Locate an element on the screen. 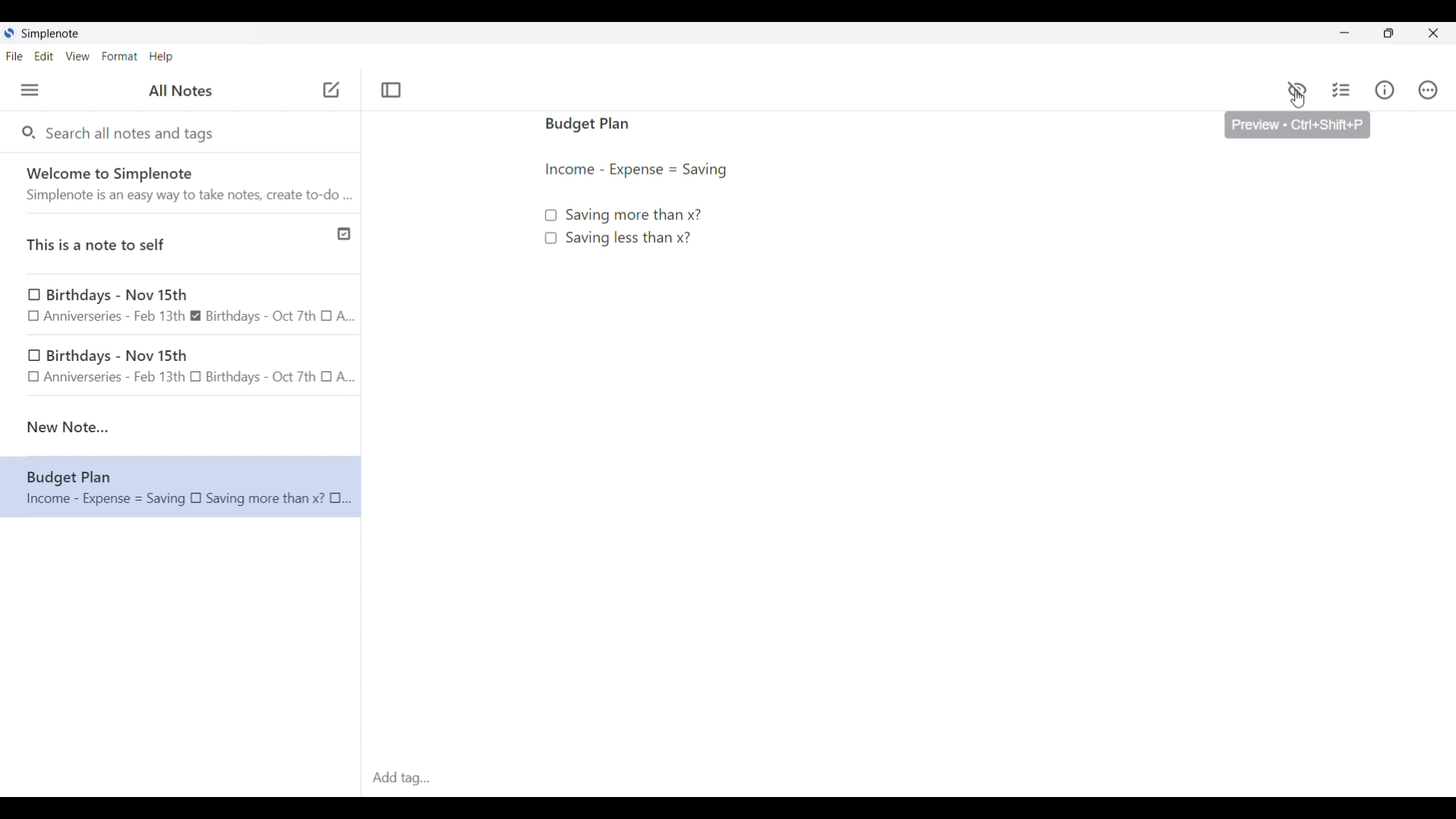 Image resolution: width=1456 pixels, height=819 pixels. Help menu is located at coordinates (161, 56).